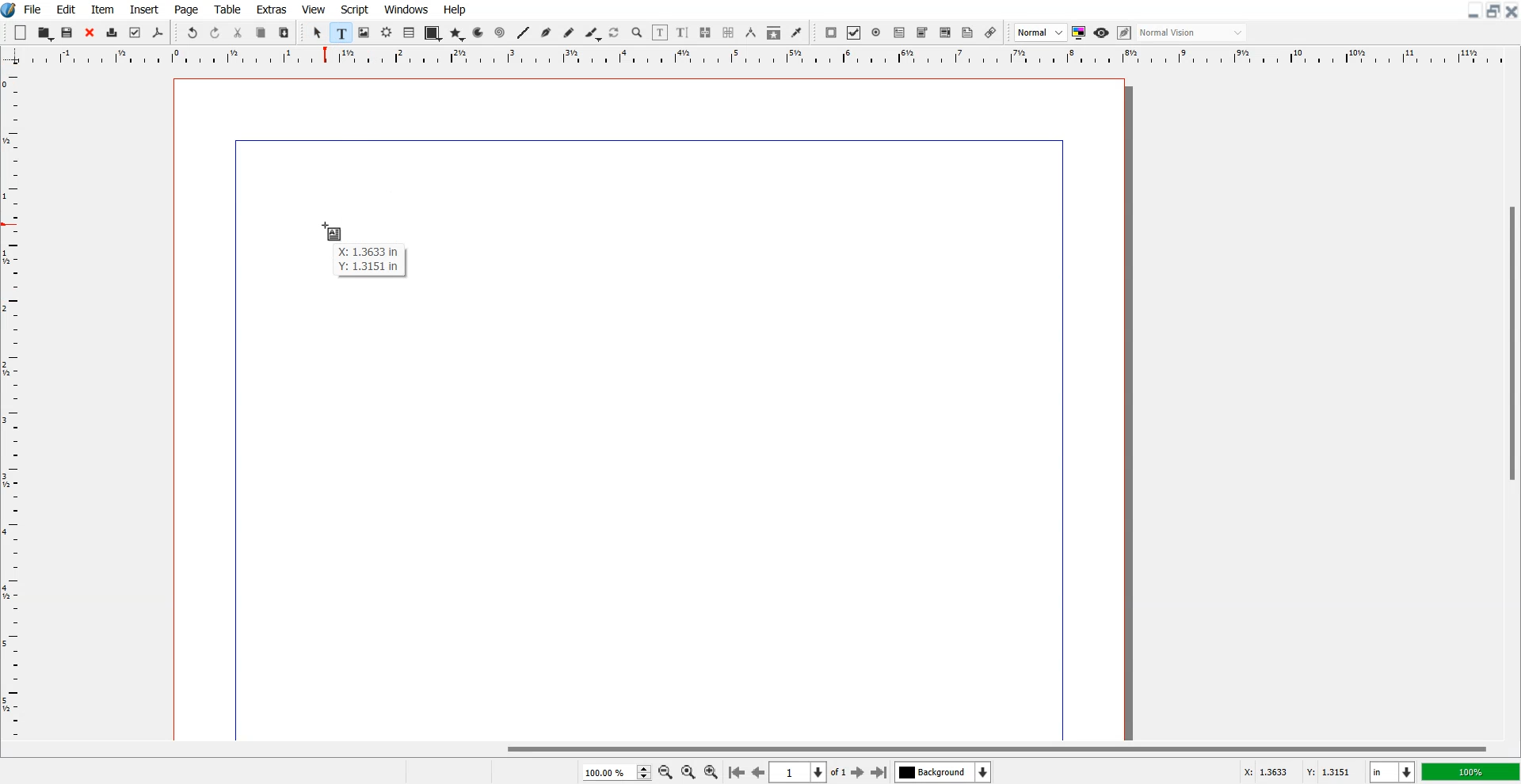 This screenshot has height=784, width=1521. What do you see at coordinates (1065, 437) in the screenshot?
I see `margin` at bounding box center [1065, 437].